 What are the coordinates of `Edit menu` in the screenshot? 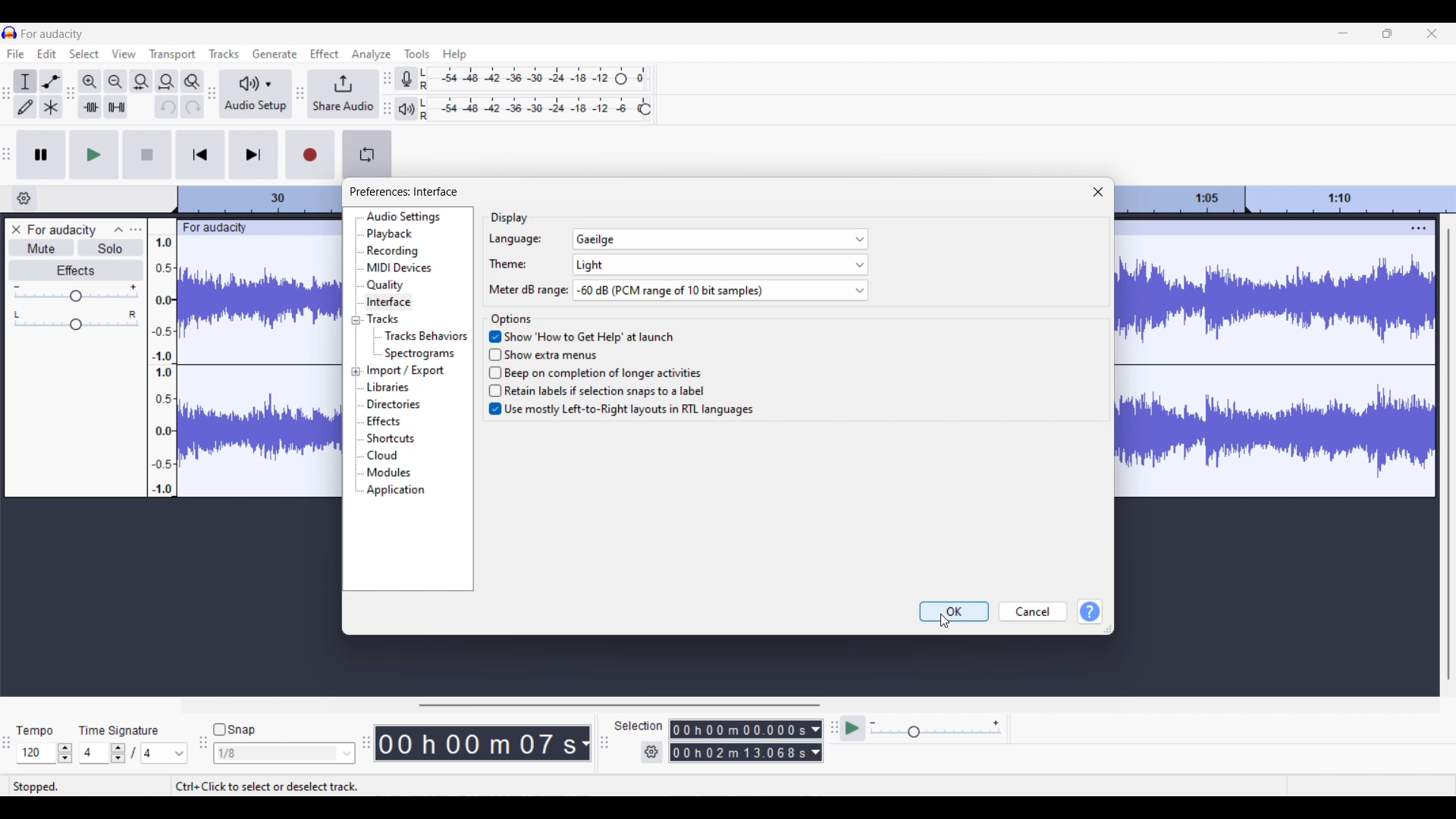 It's located at (46, 53).